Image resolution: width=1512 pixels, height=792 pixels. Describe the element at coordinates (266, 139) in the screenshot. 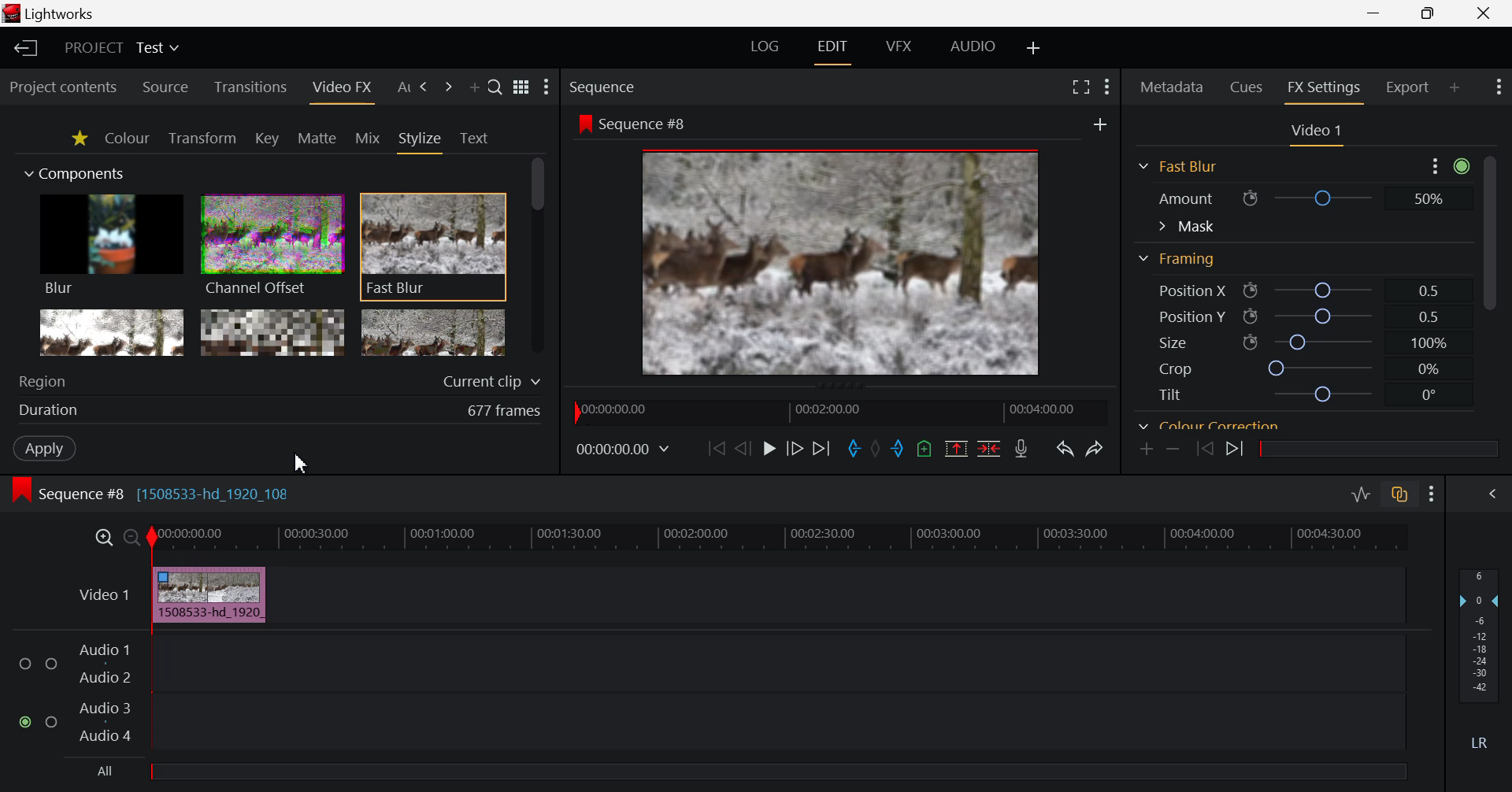

I see `Key` at that location.